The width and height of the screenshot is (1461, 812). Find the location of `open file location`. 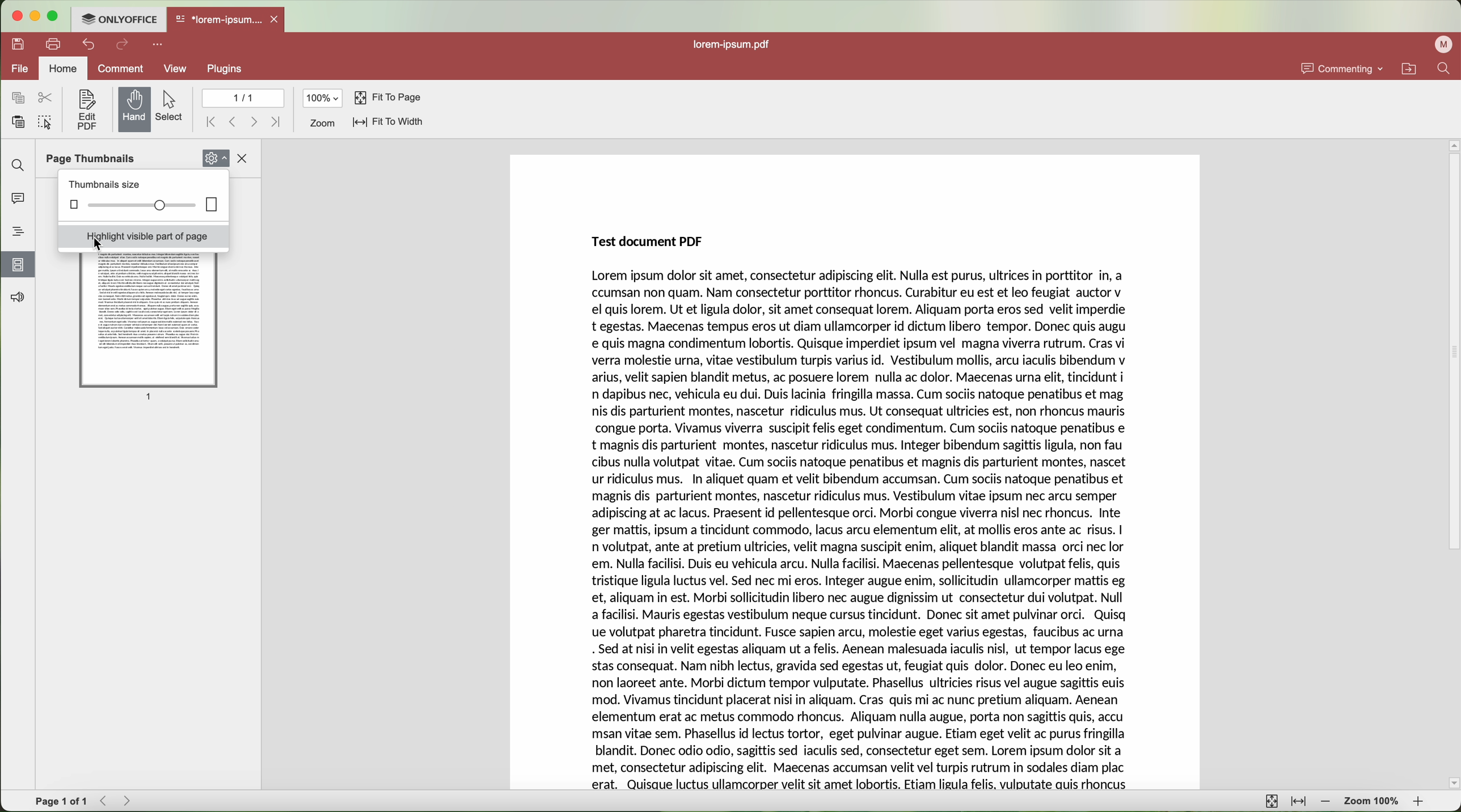

open file location is located at coordinates (1409, 69).